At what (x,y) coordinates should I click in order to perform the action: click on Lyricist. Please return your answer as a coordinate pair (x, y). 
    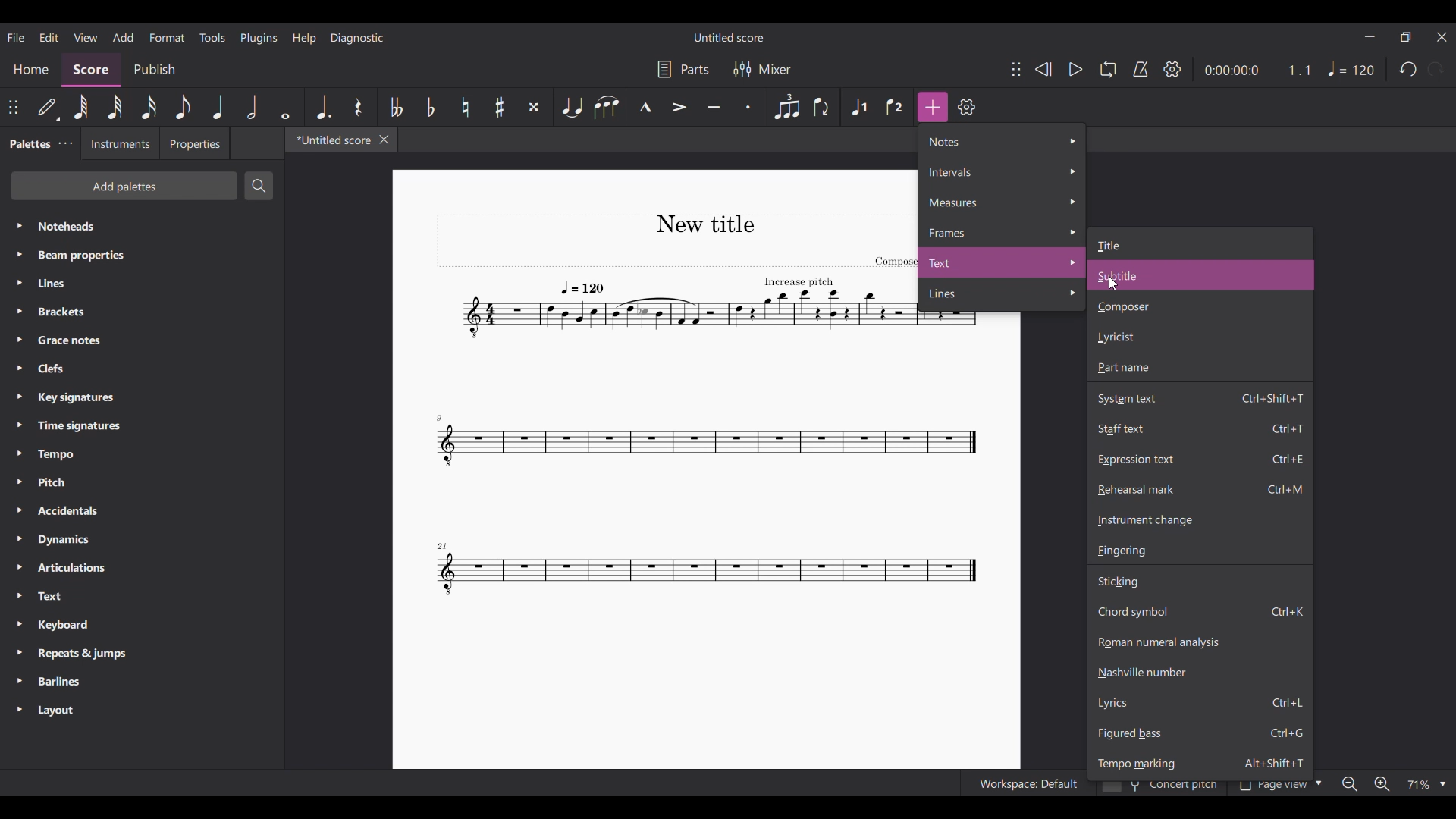
    Looking at the image, I should click on (1200, 337).